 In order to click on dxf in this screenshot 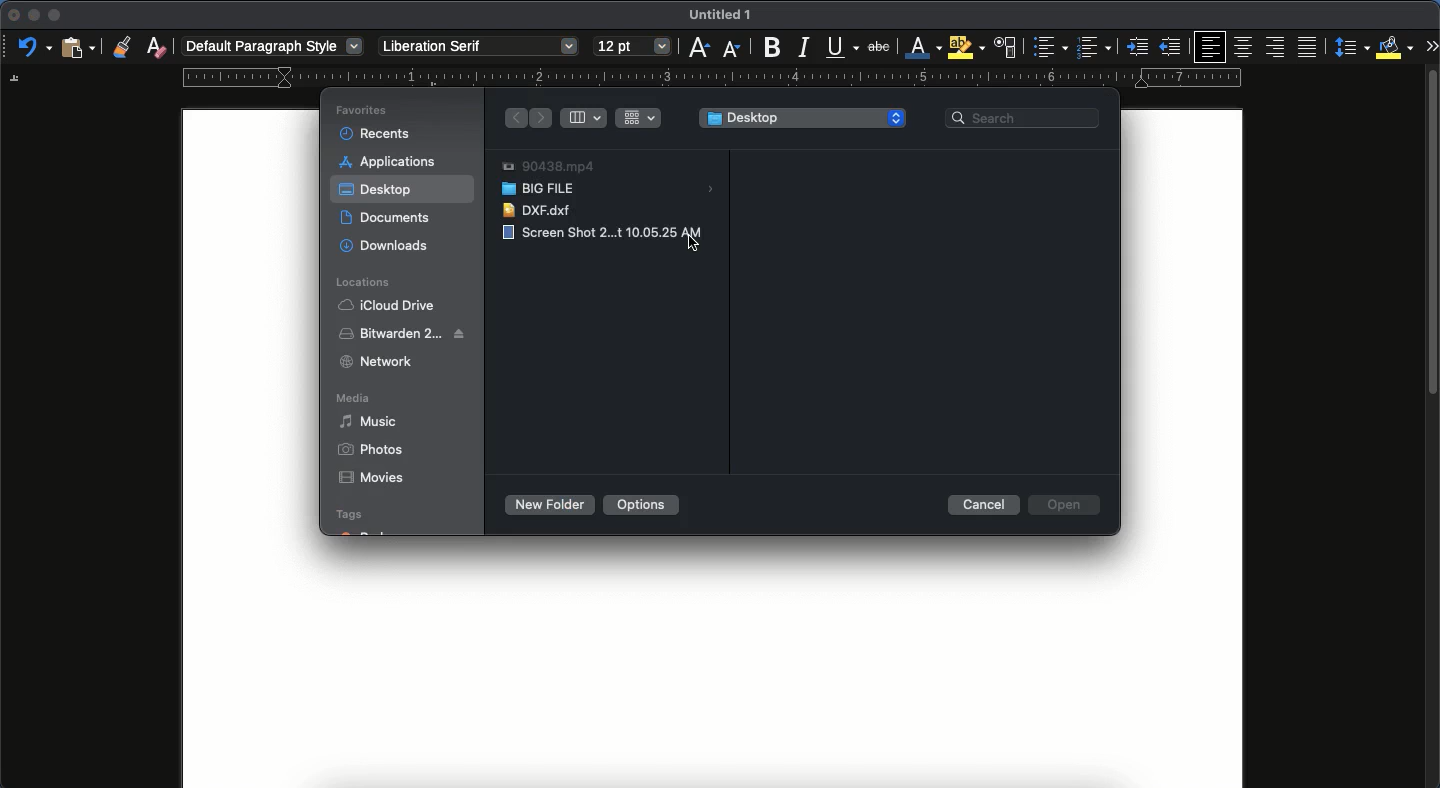, I will do `click(541, 210)`.